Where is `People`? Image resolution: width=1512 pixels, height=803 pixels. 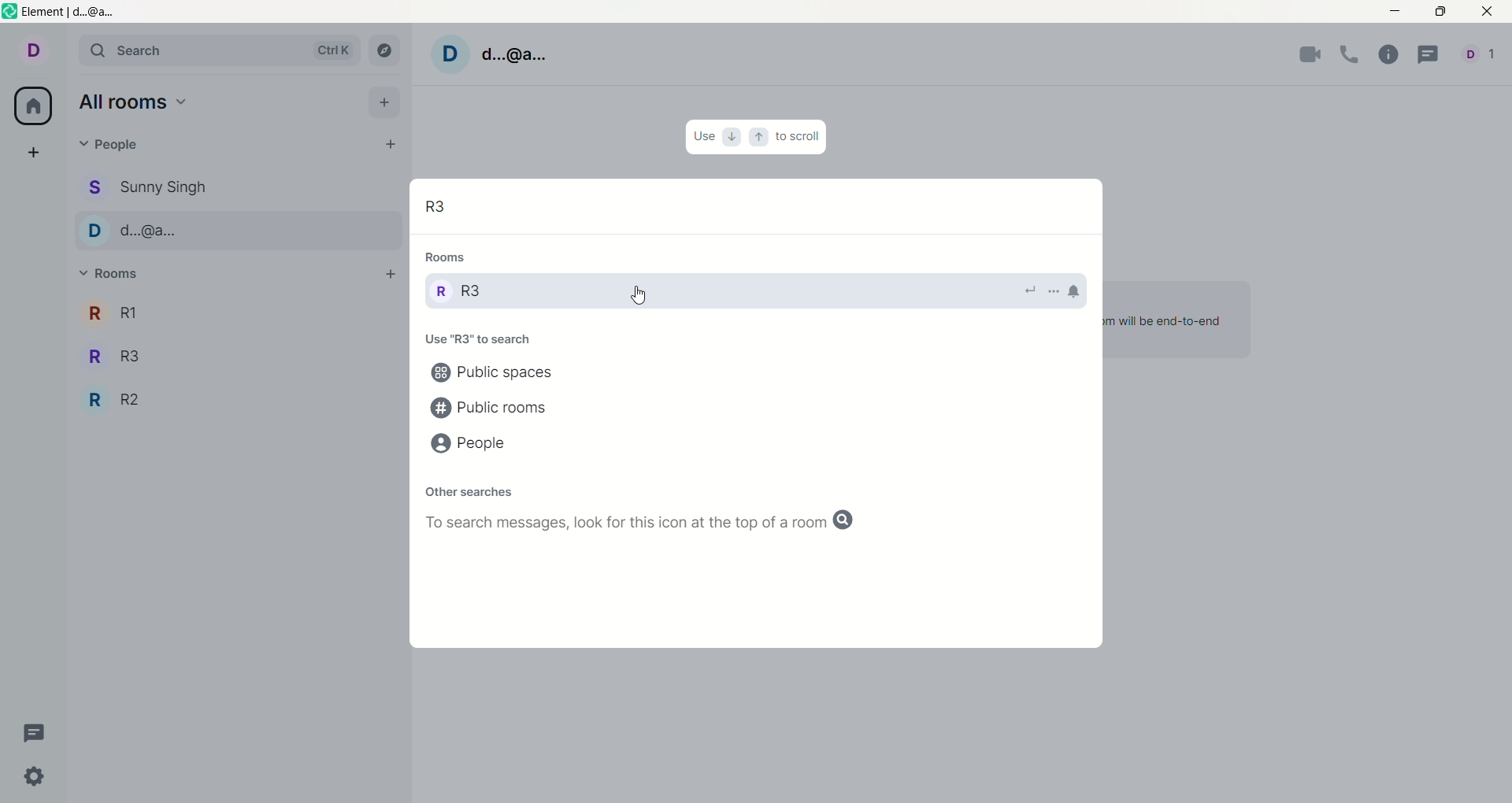 People is located at coordinates (129, 233).